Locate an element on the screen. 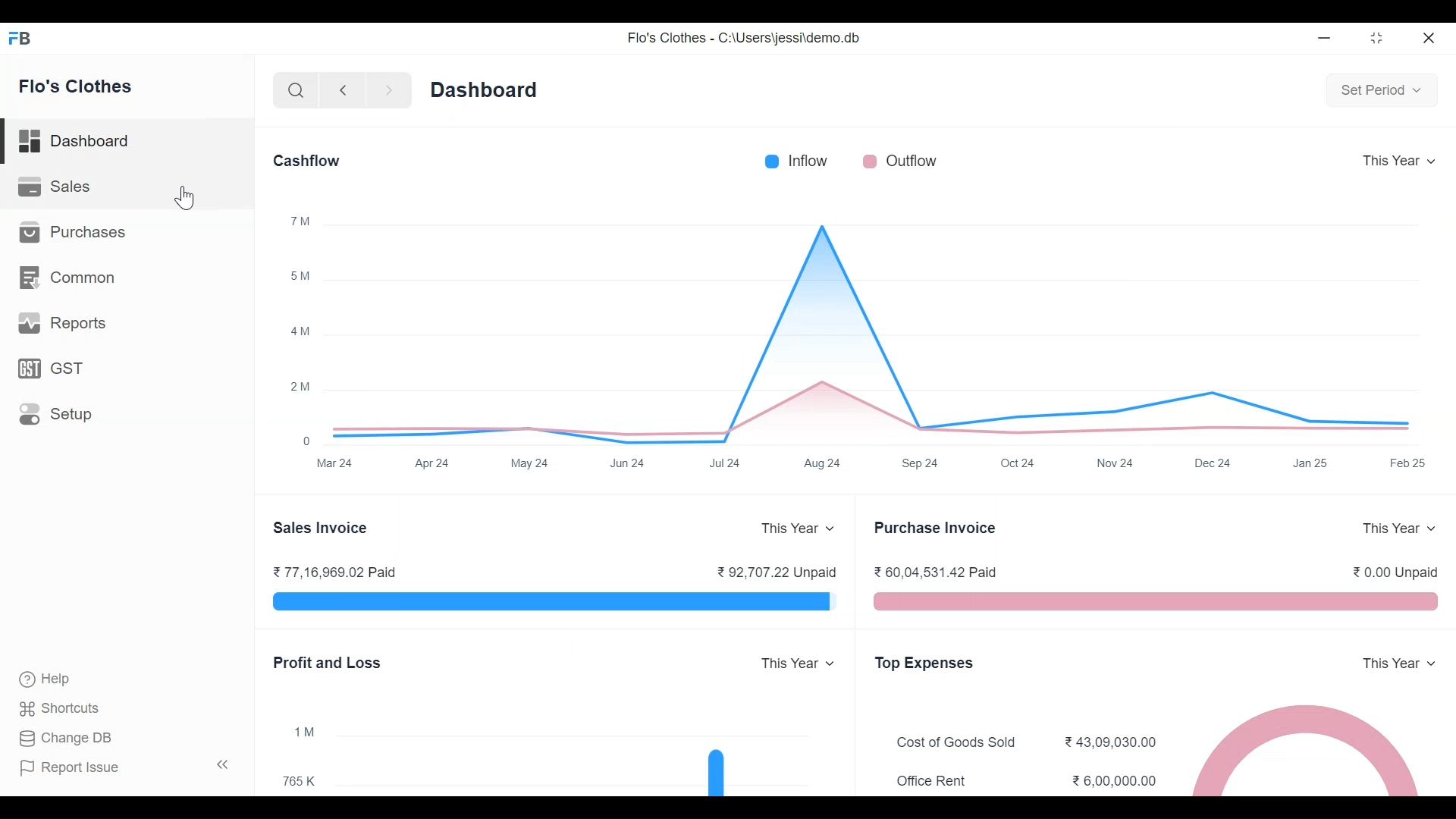 Image resolution: width=1456 pixels, height=819 pixels. ™ is located at coordinates (302, 222).